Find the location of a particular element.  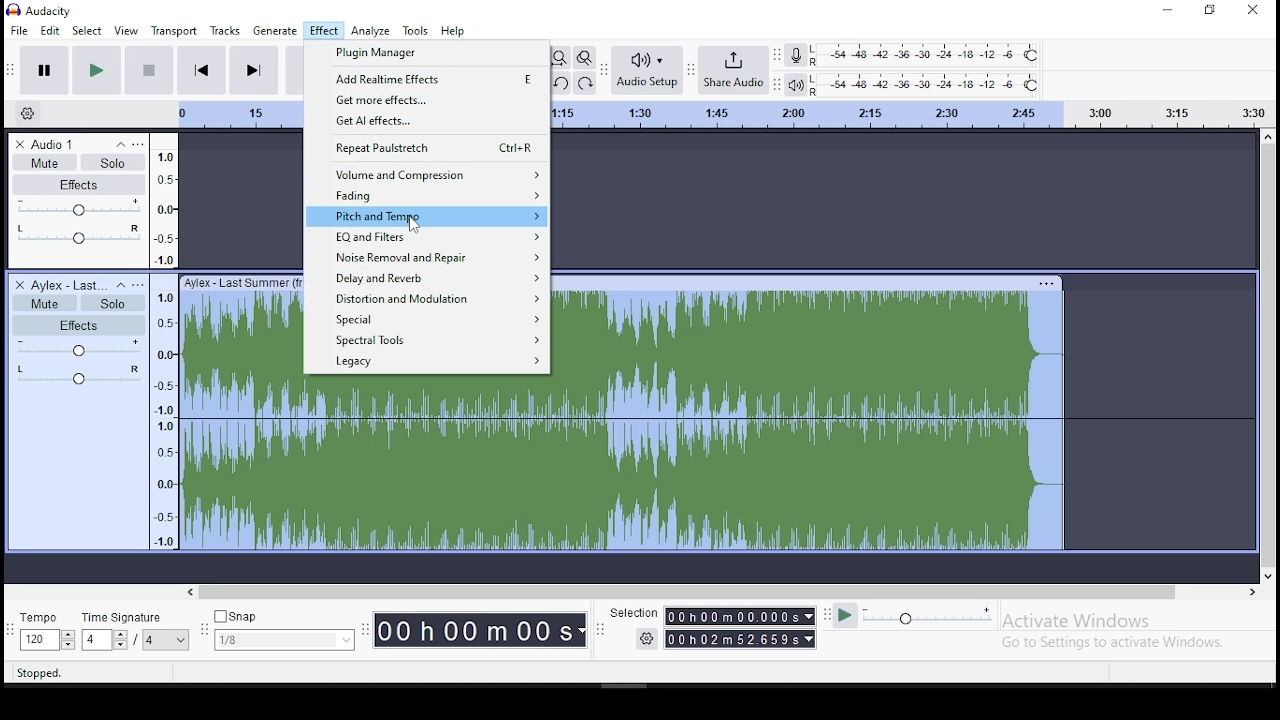

open menu is located at coordinates (142, 284).